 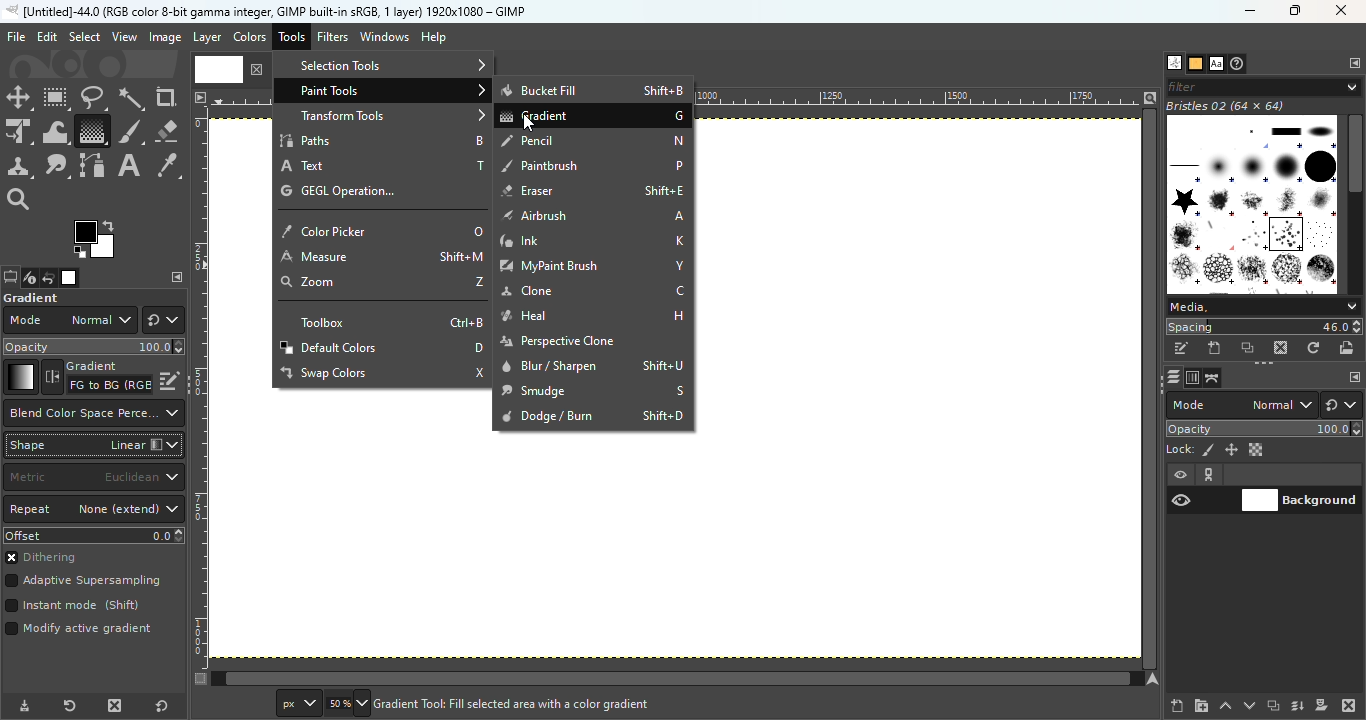 What do you see at coordinates (16, 37) in the screenshot?
I see `File` at bounding box center [16, 37].